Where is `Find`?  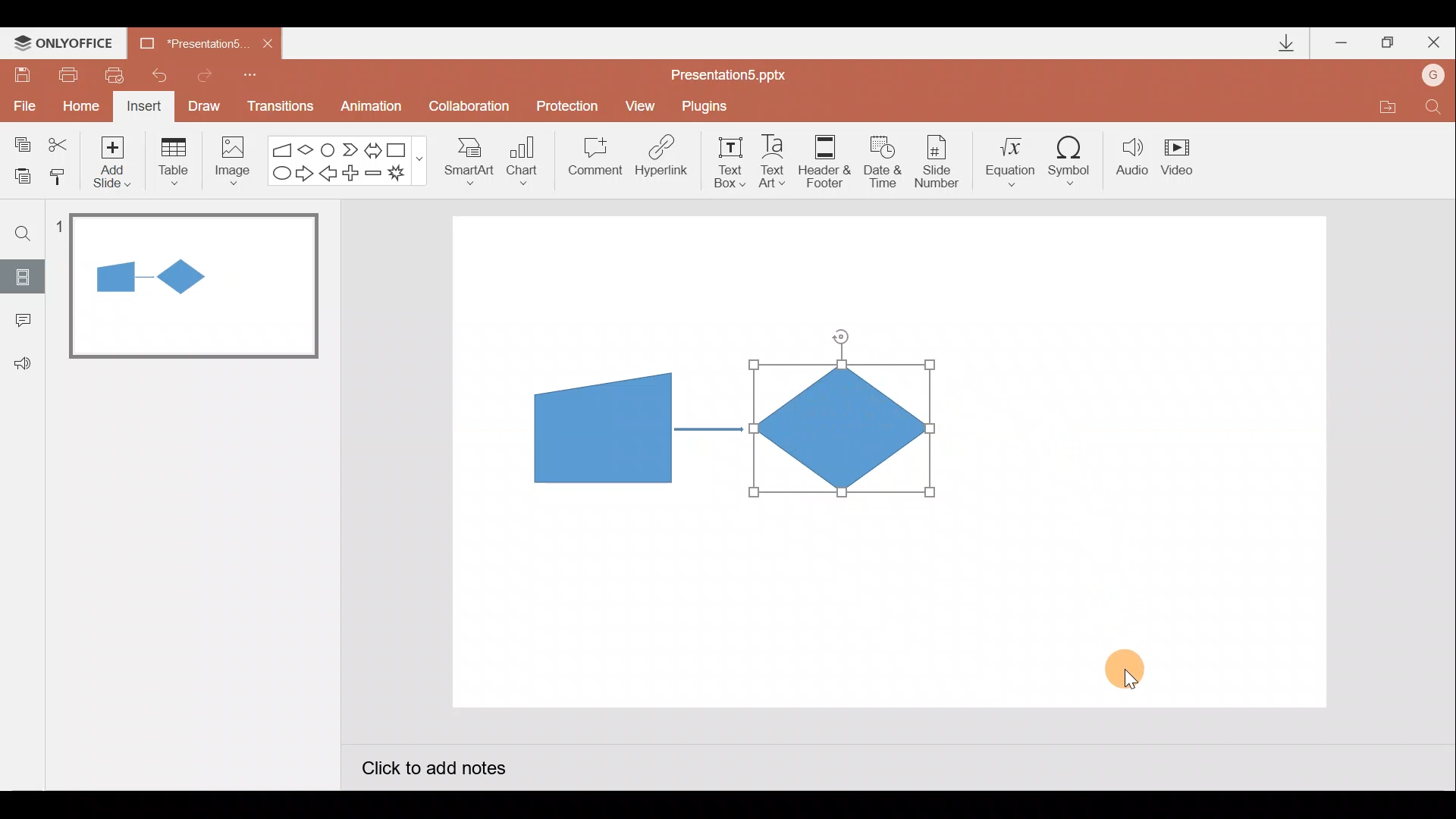
Find is located at coordinates (24, 233).